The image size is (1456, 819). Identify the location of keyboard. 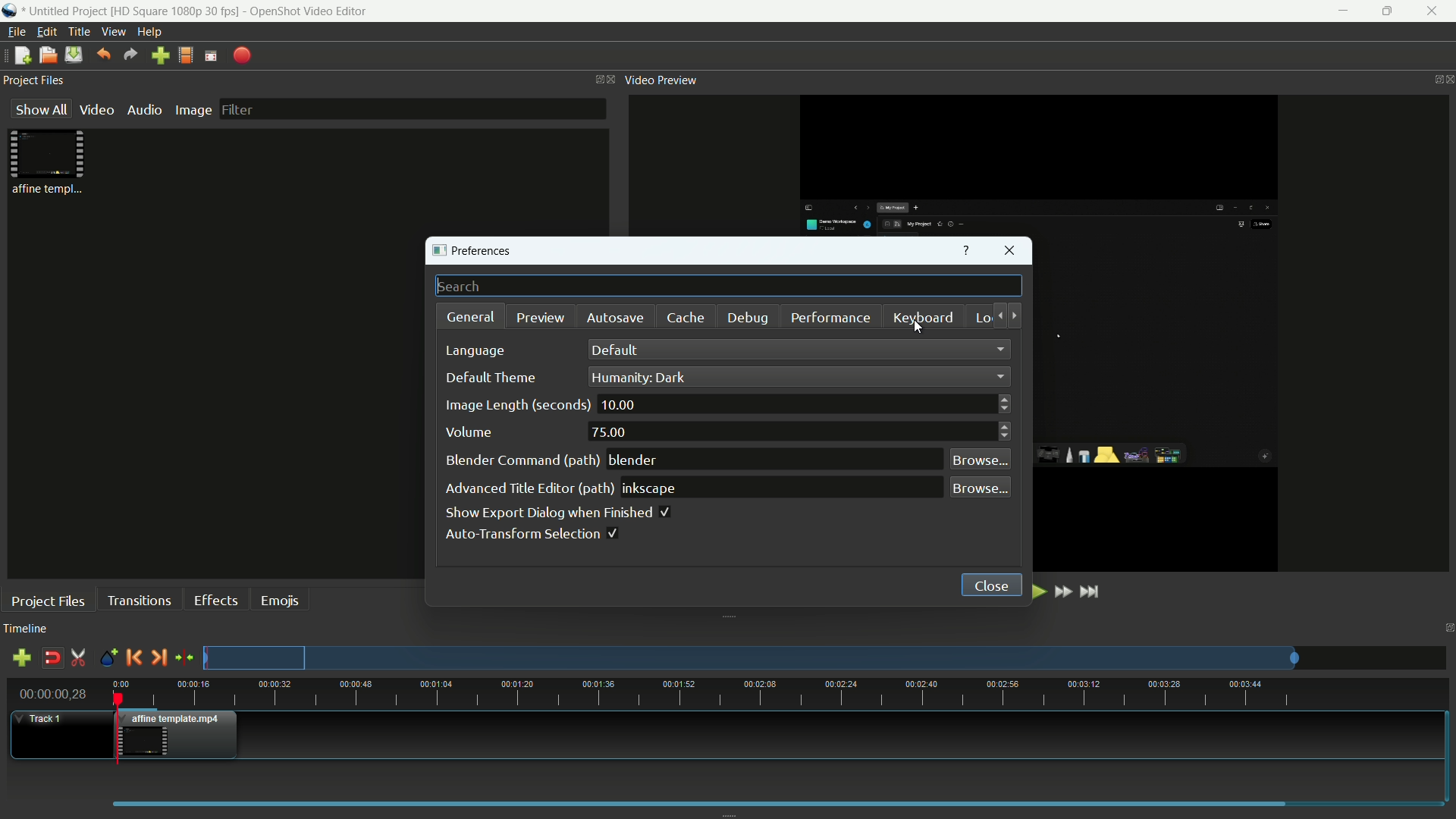
(924, 318).